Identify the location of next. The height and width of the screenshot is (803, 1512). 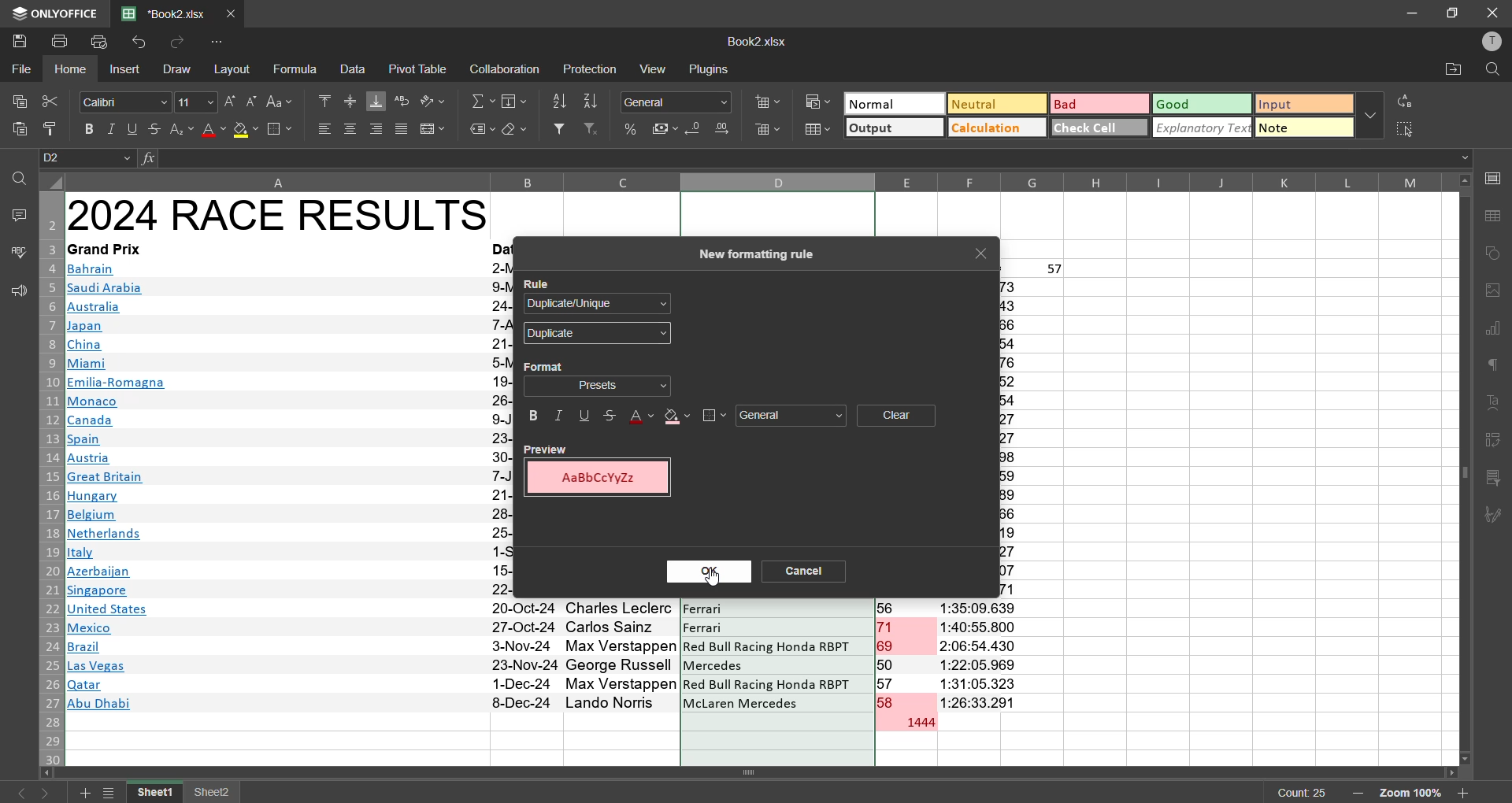
(50, 793).